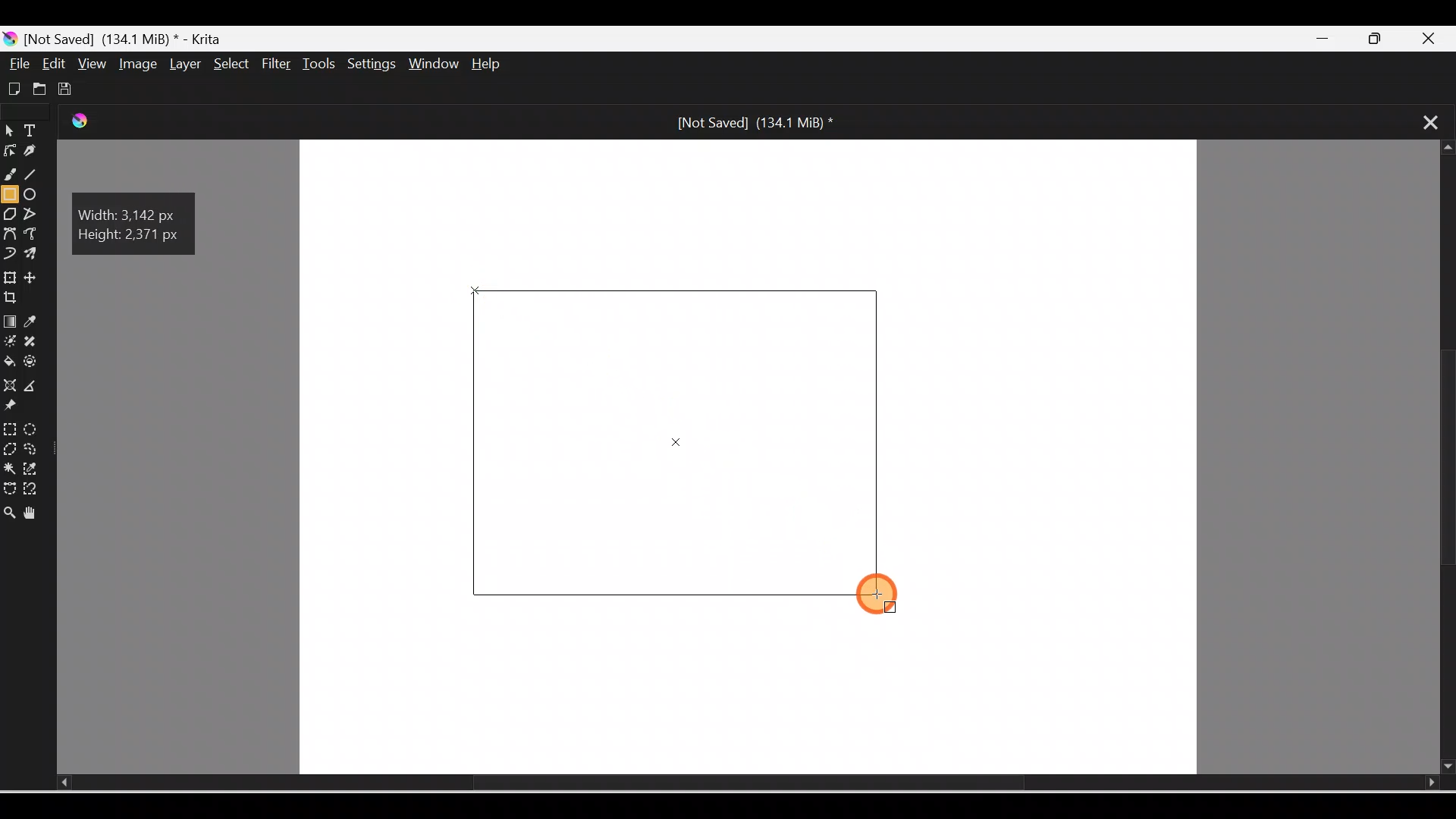 Image resolution: width=1456 pixels, height=819 pixels. Describe the element at coordinates (135, 64) in the screenshot. I see `Image` at that location.